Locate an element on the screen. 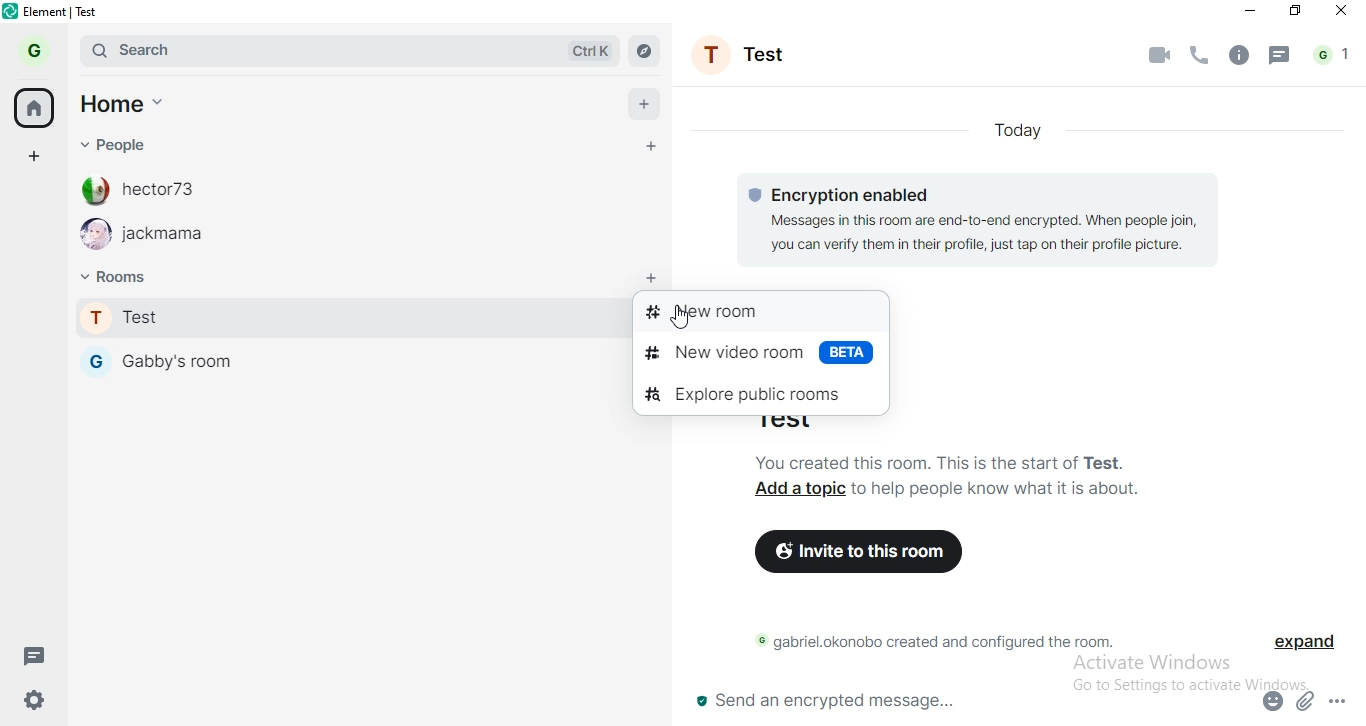 Image resolution: width=1366 pixels, height=726 pixels. people is located at coordinates (128, 142).